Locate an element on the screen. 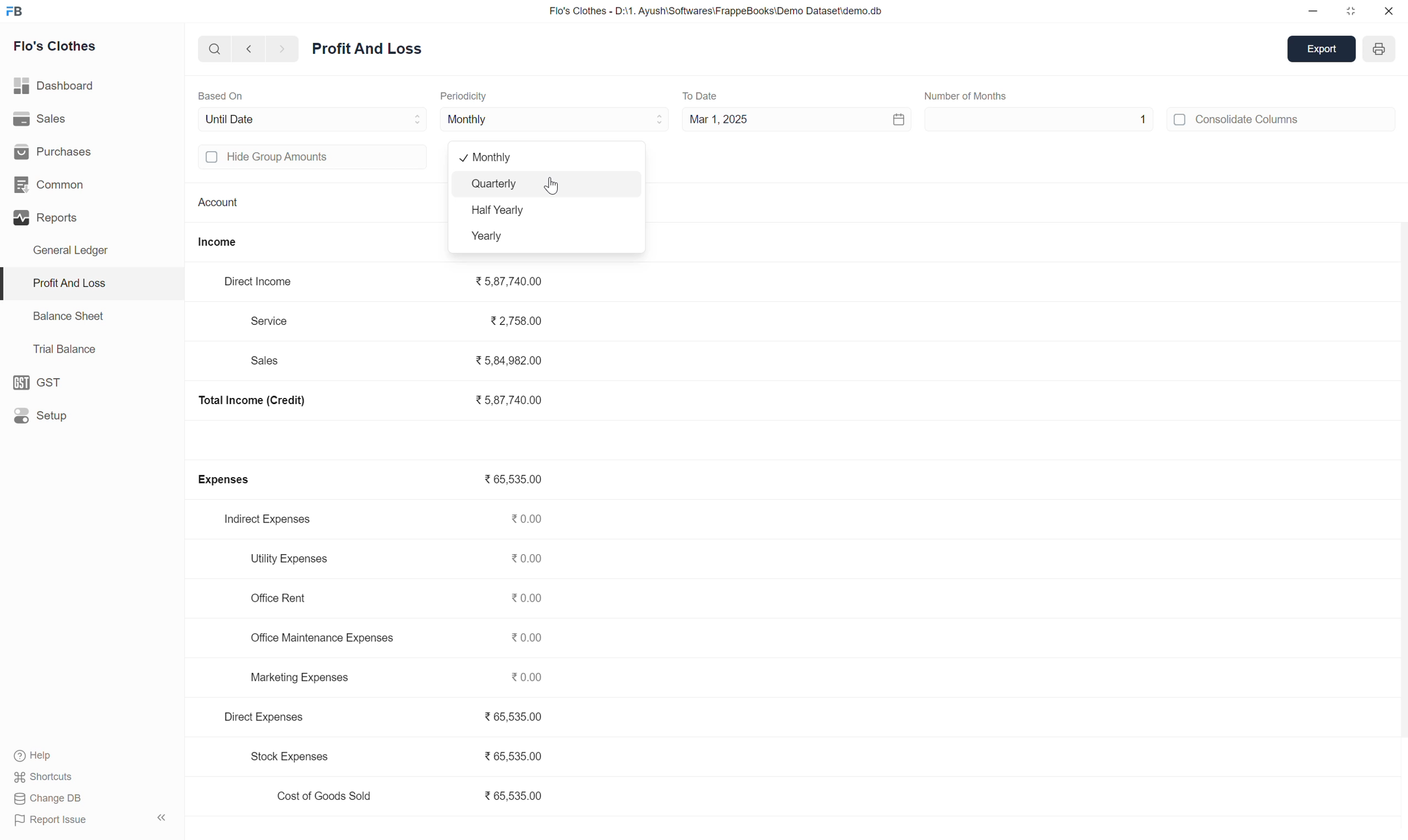 The image size is (1408, 840). Office Maintenance Expenses is located at coordinates (317, 640).